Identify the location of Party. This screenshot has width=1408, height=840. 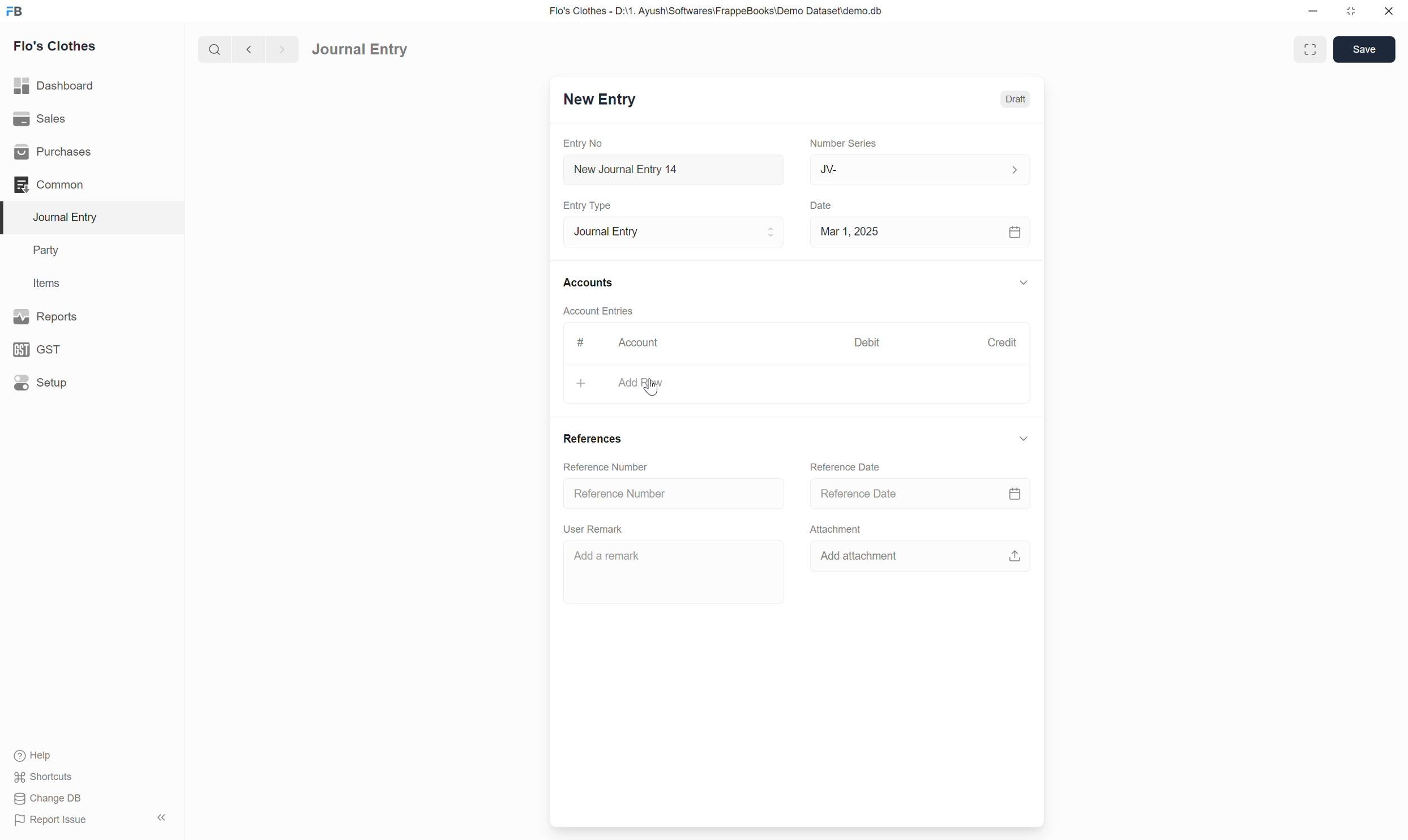
(49, 251).